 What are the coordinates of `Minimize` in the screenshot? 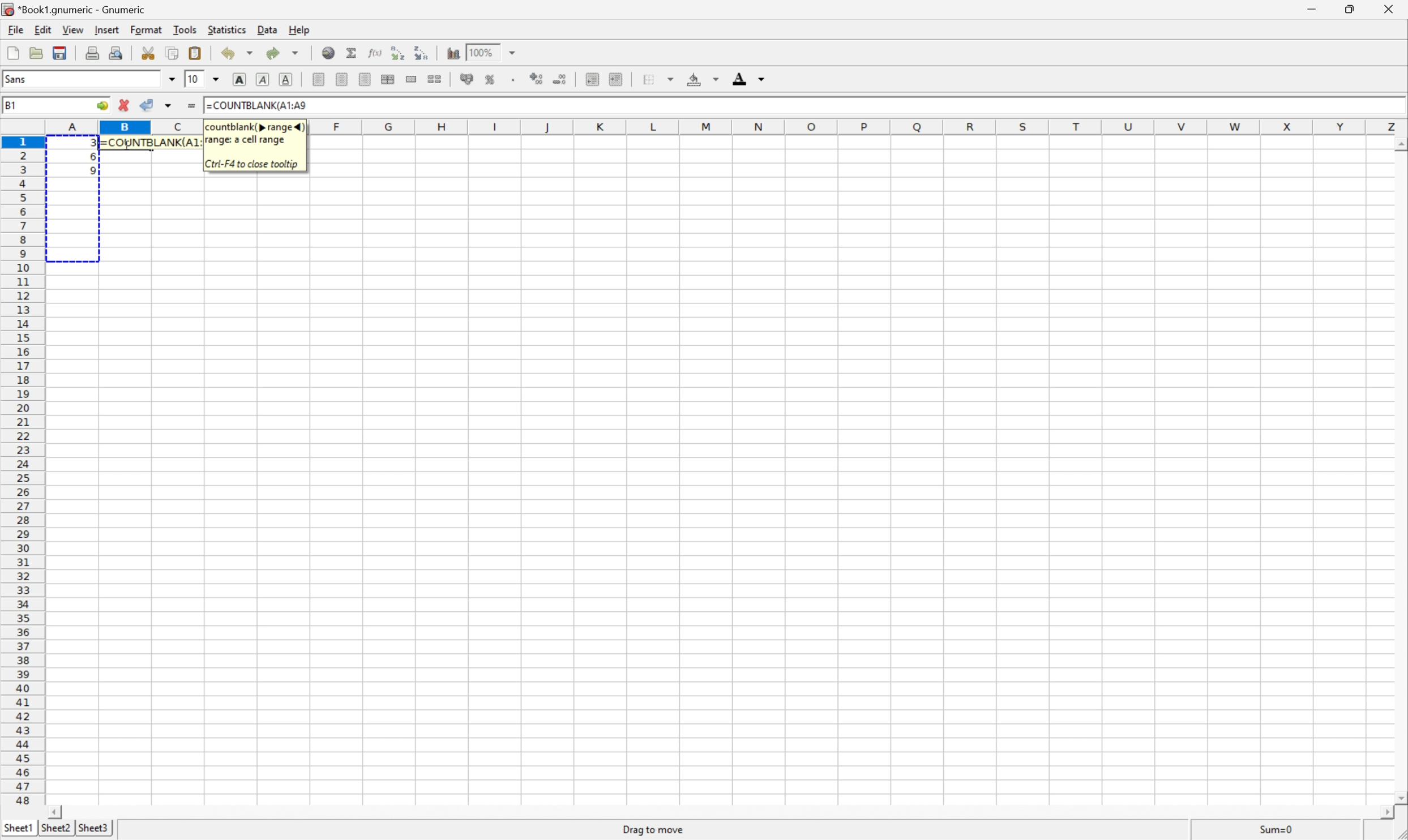 It's located at (1309, 8).